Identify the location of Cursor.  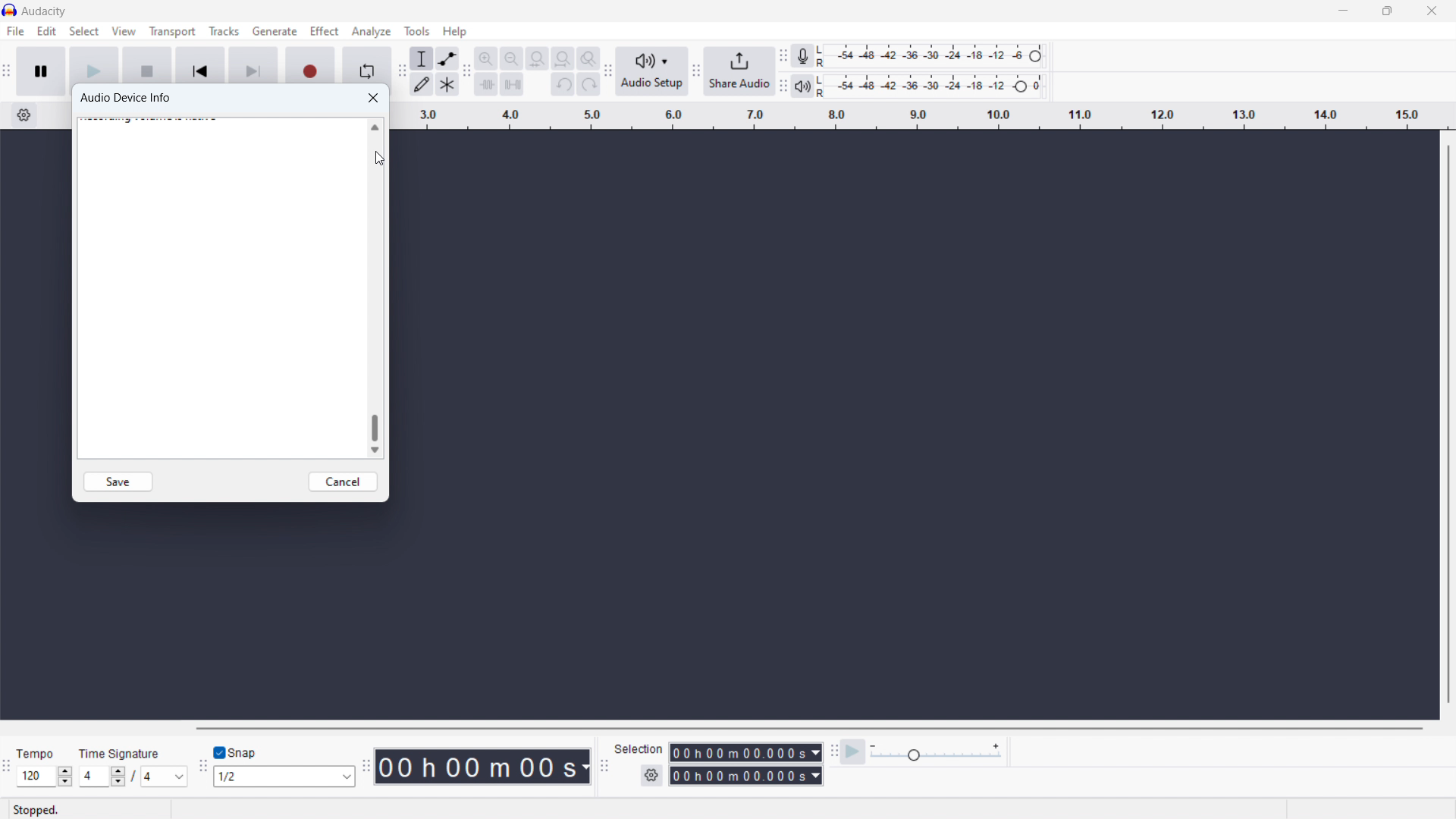
(382, 161).